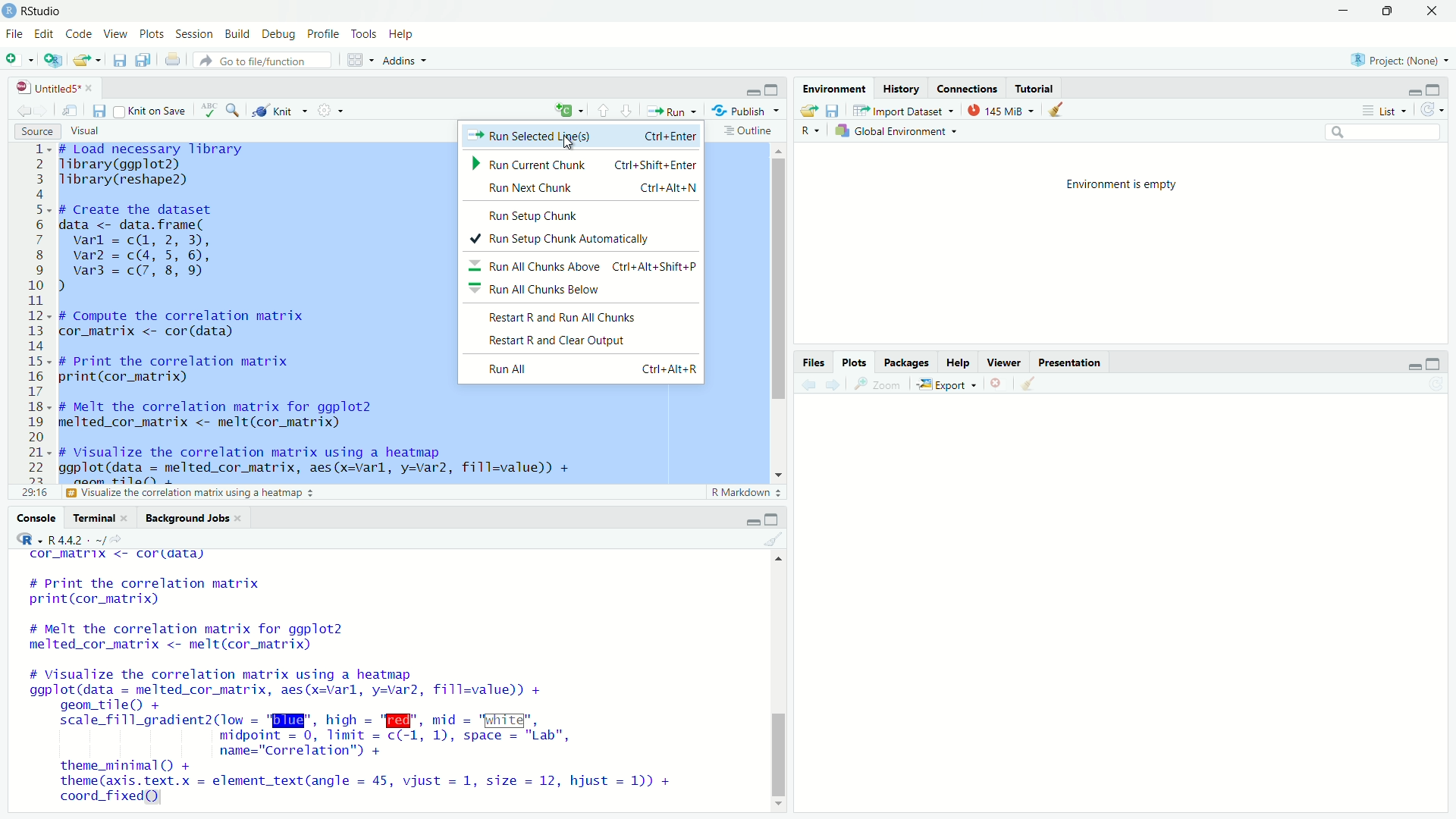  I want to click on maximize, so click(773, 88).